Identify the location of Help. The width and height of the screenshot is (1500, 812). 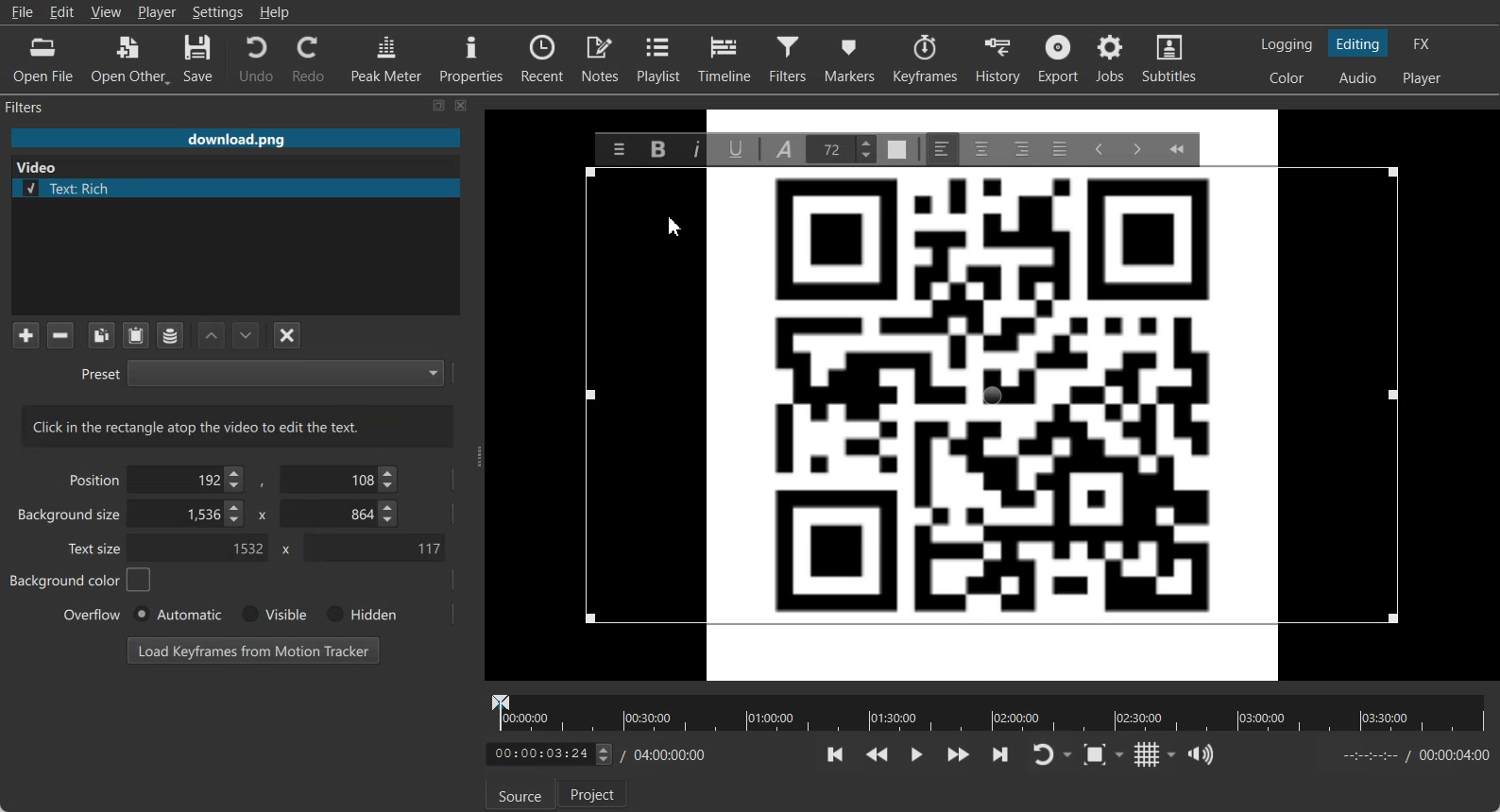
(275, 12).